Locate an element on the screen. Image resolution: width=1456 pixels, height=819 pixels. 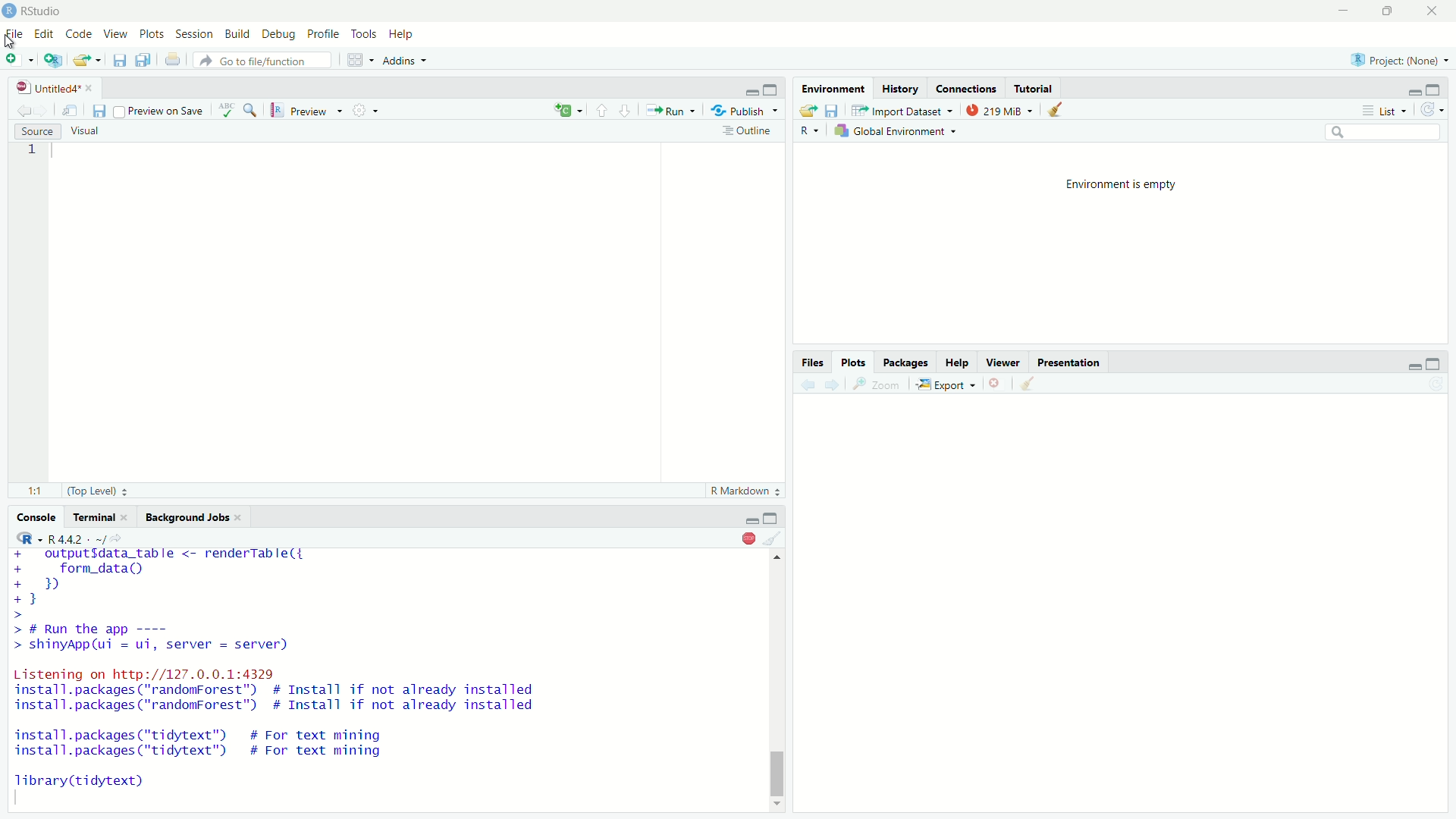
Preview on Save is located at coordinates (161, 110).